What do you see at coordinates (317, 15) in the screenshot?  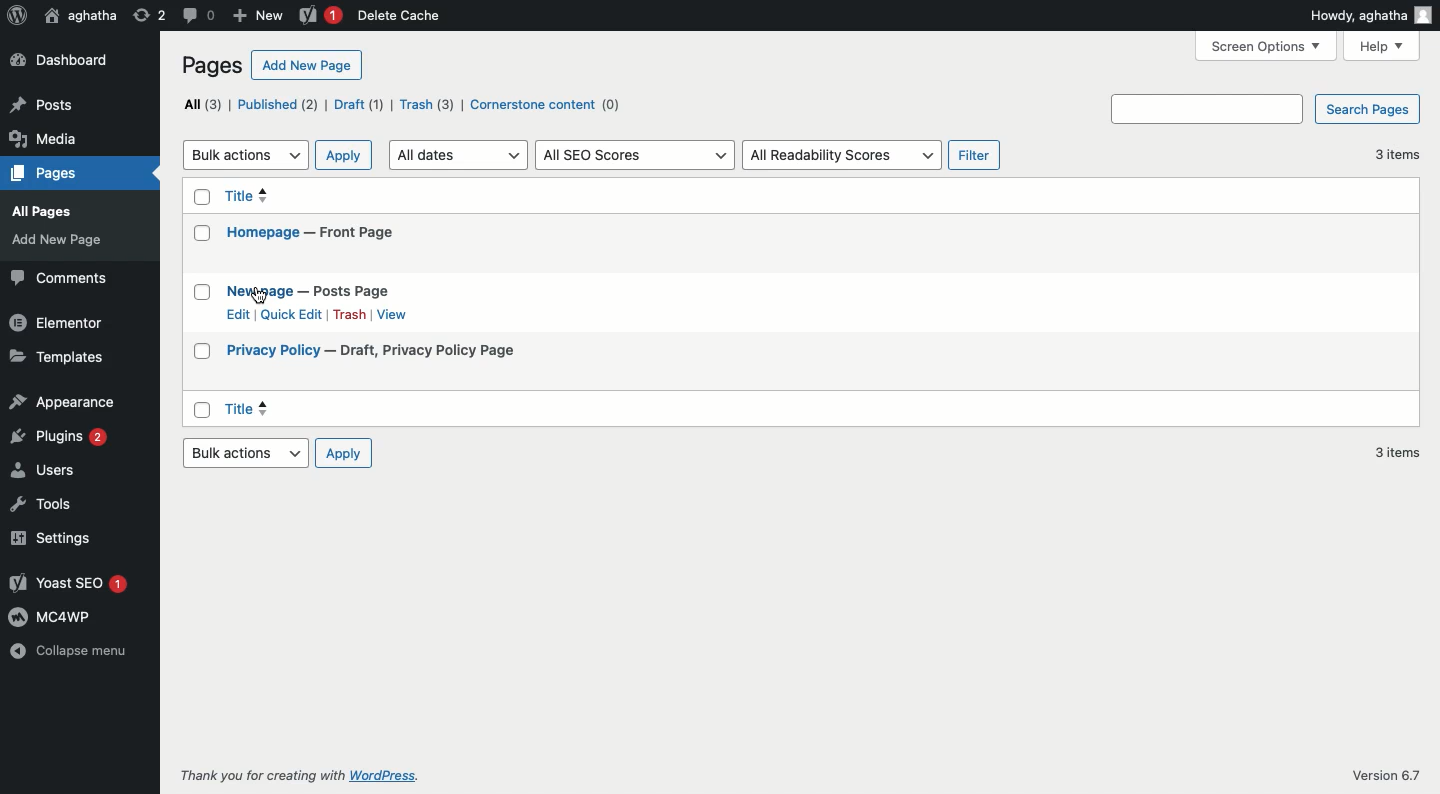 I see `Yoast` at bounding box center [317, 15].